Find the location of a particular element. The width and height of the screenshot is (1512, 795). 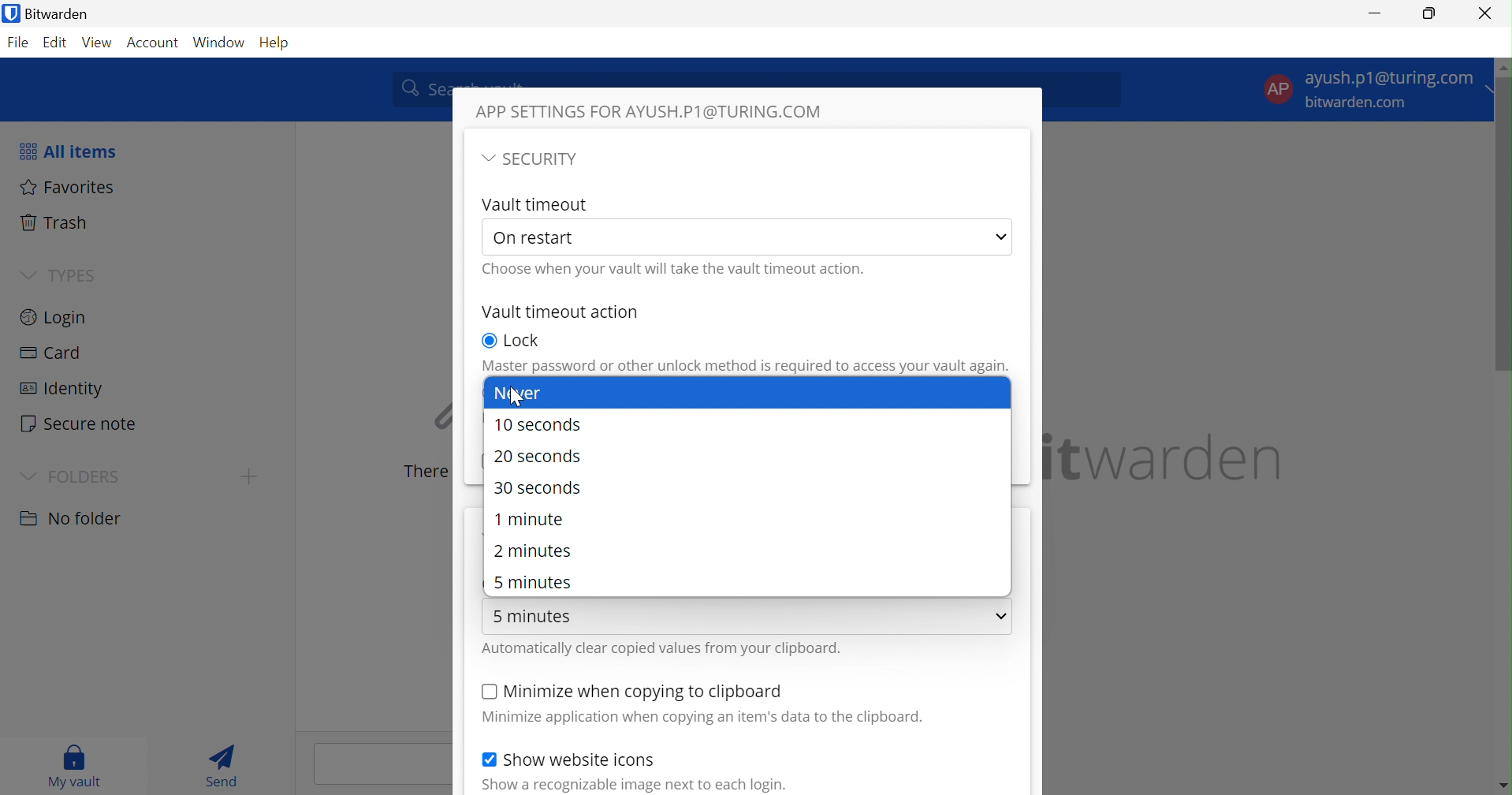

Minimize is located at coordinates (1372, 17).